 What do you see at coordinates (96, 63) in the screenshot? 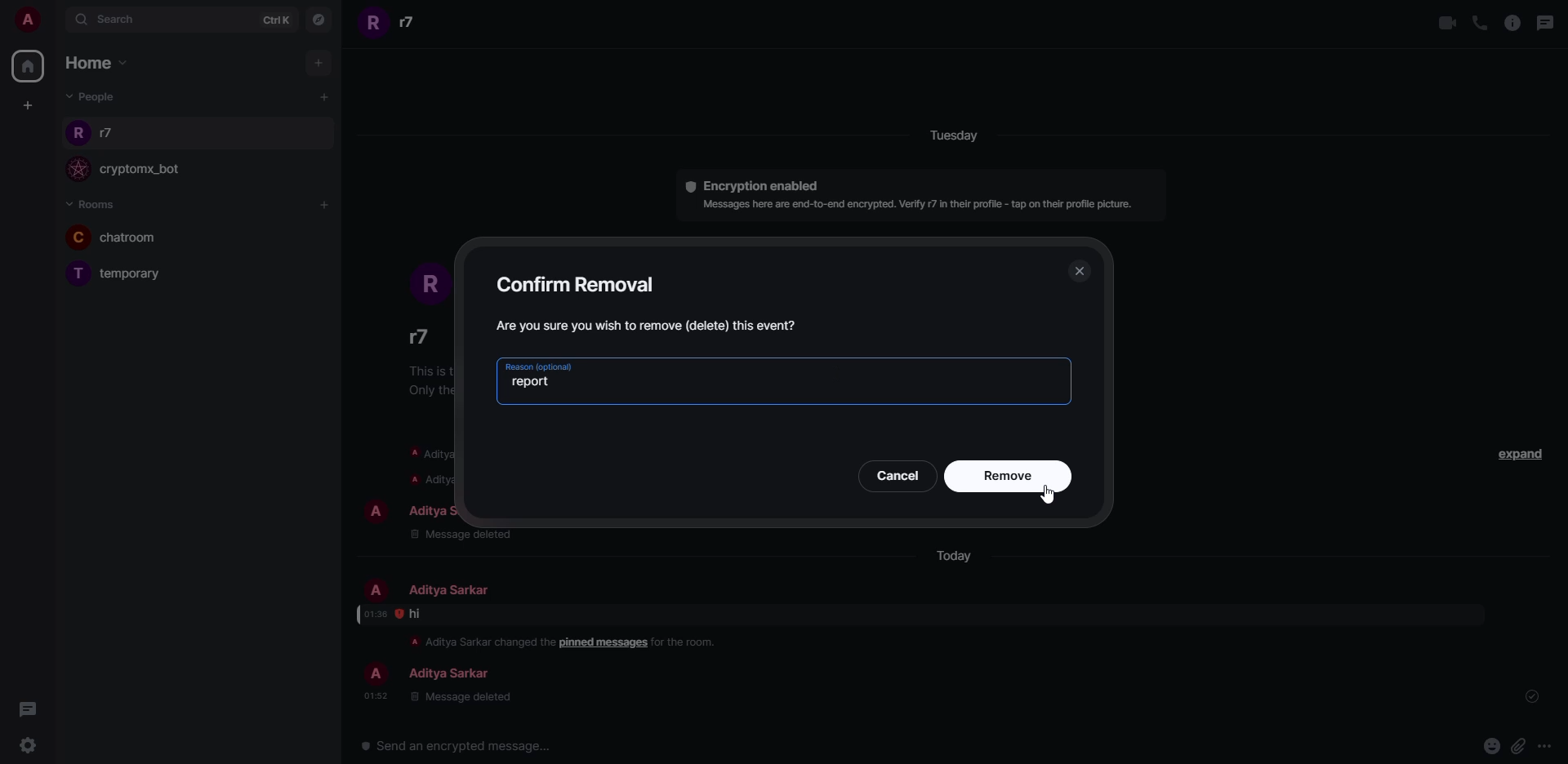
I see `home` at bounding box center [96, 63].